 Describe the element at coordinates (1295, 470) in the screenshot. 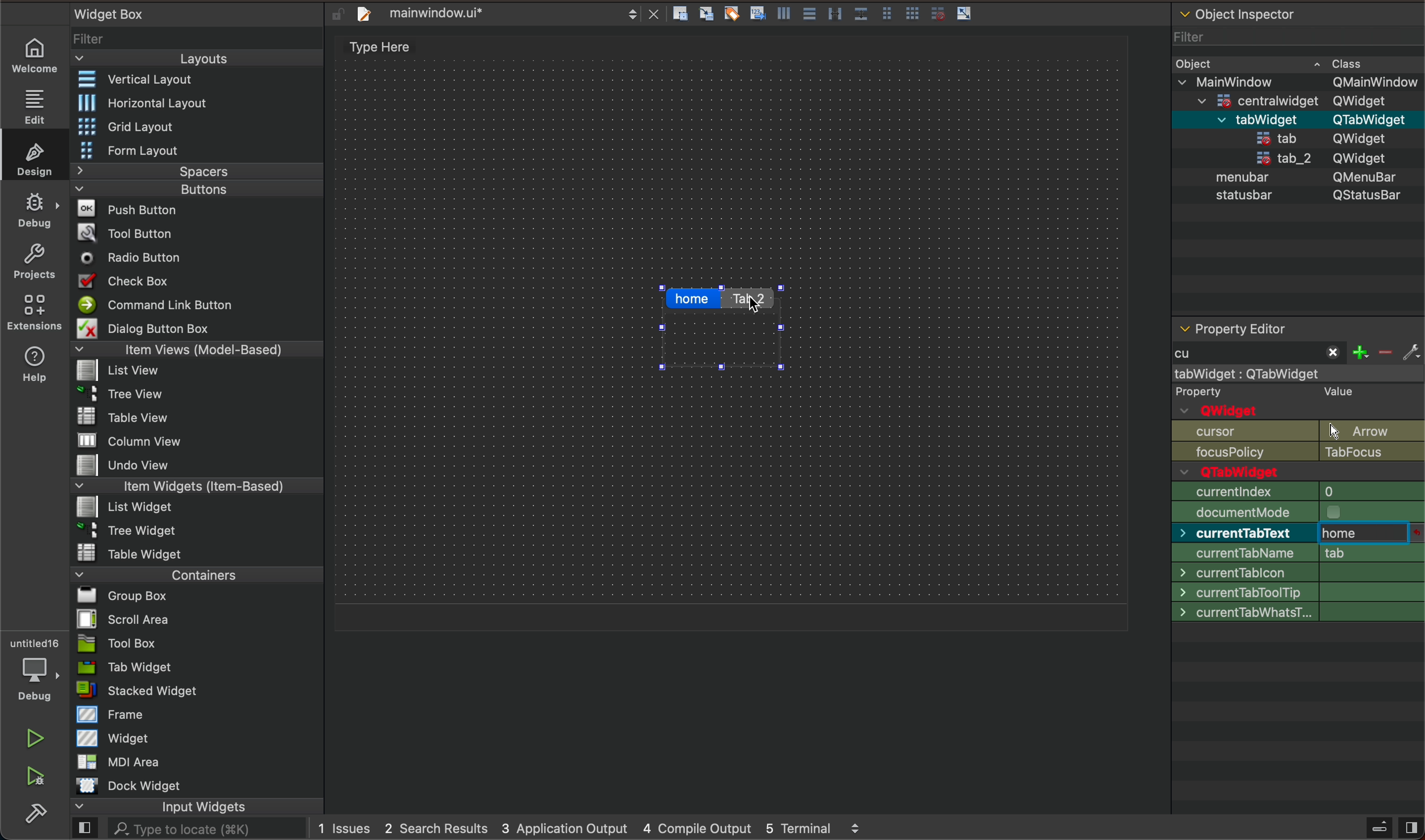

I see `enabled` at that location.